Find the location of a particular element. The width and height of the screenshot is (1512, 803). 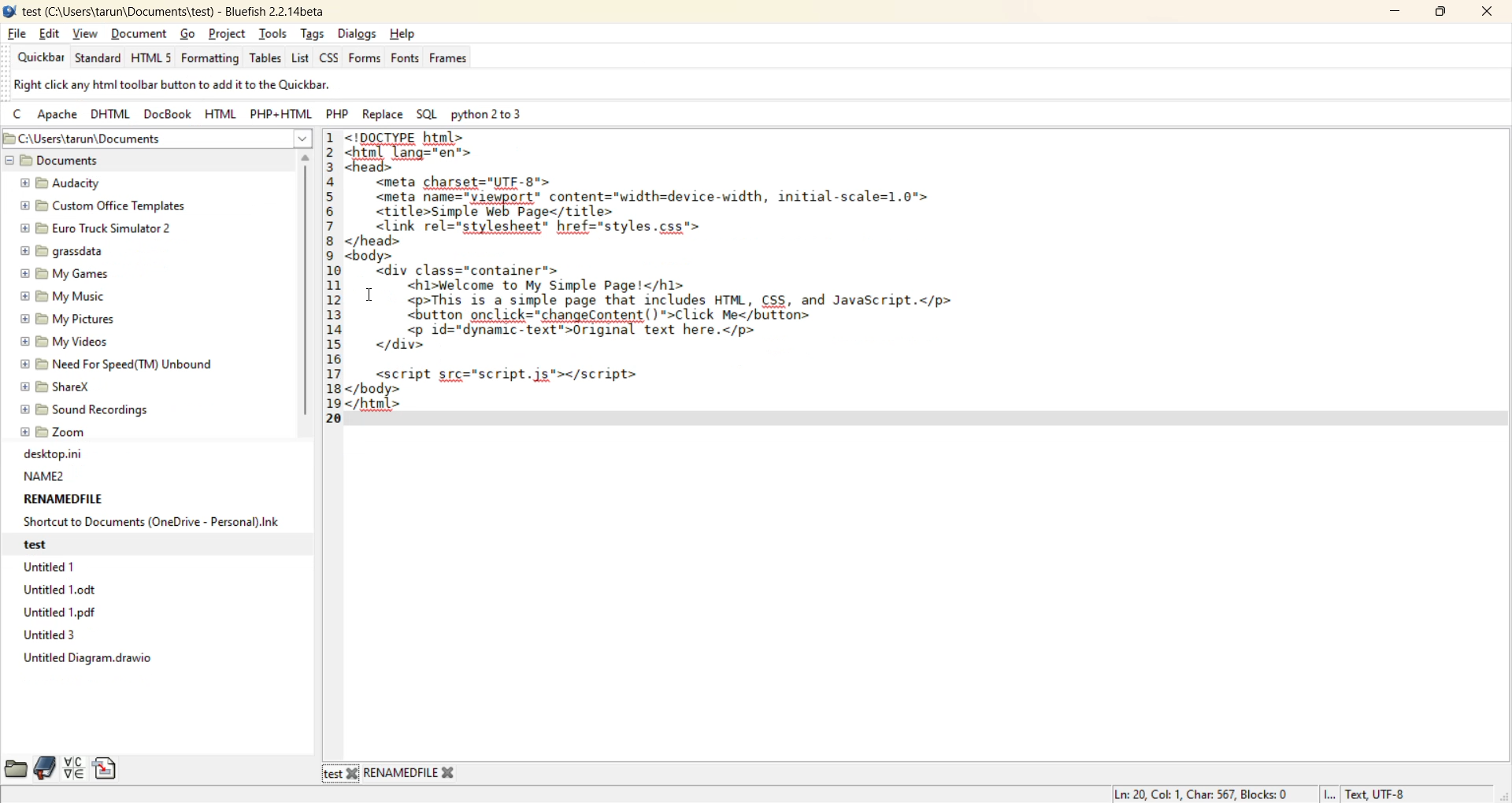

right click any html btoolbar button to add to the quickbar is located at coordinates (201, 85).